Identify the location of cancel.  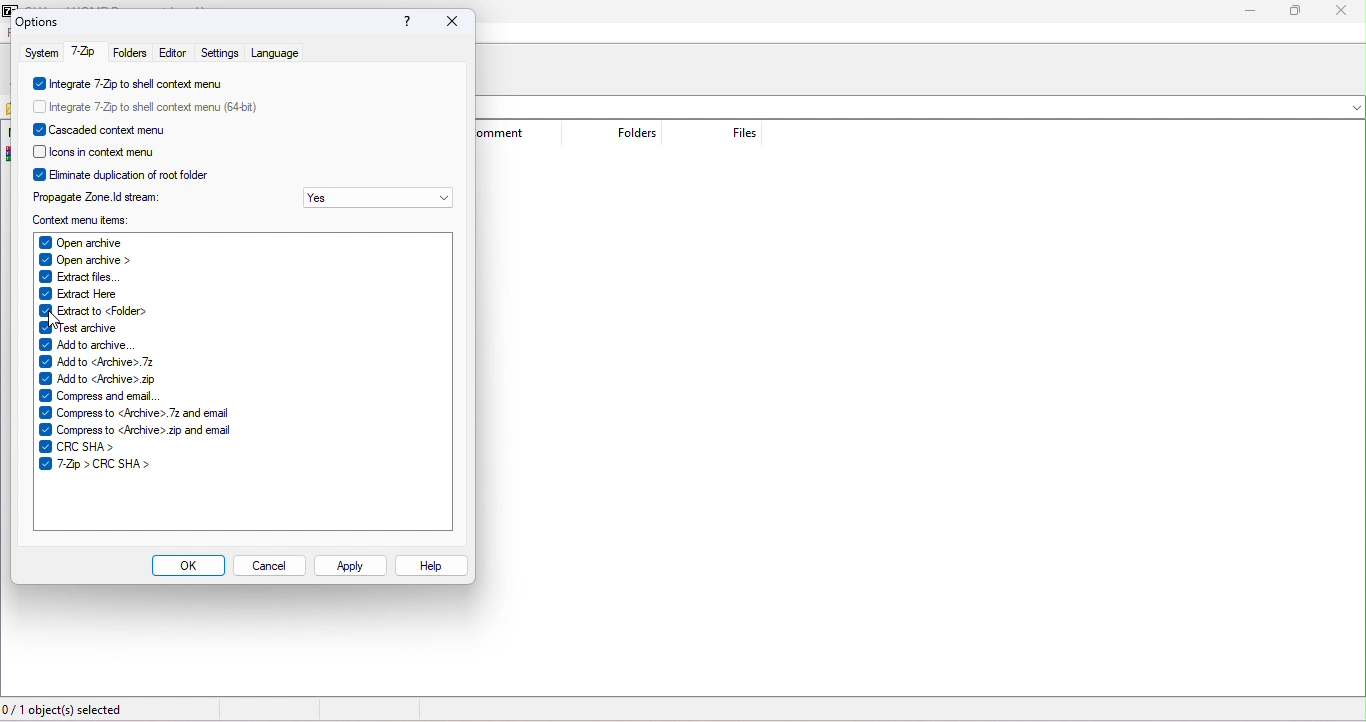
(269, 567).